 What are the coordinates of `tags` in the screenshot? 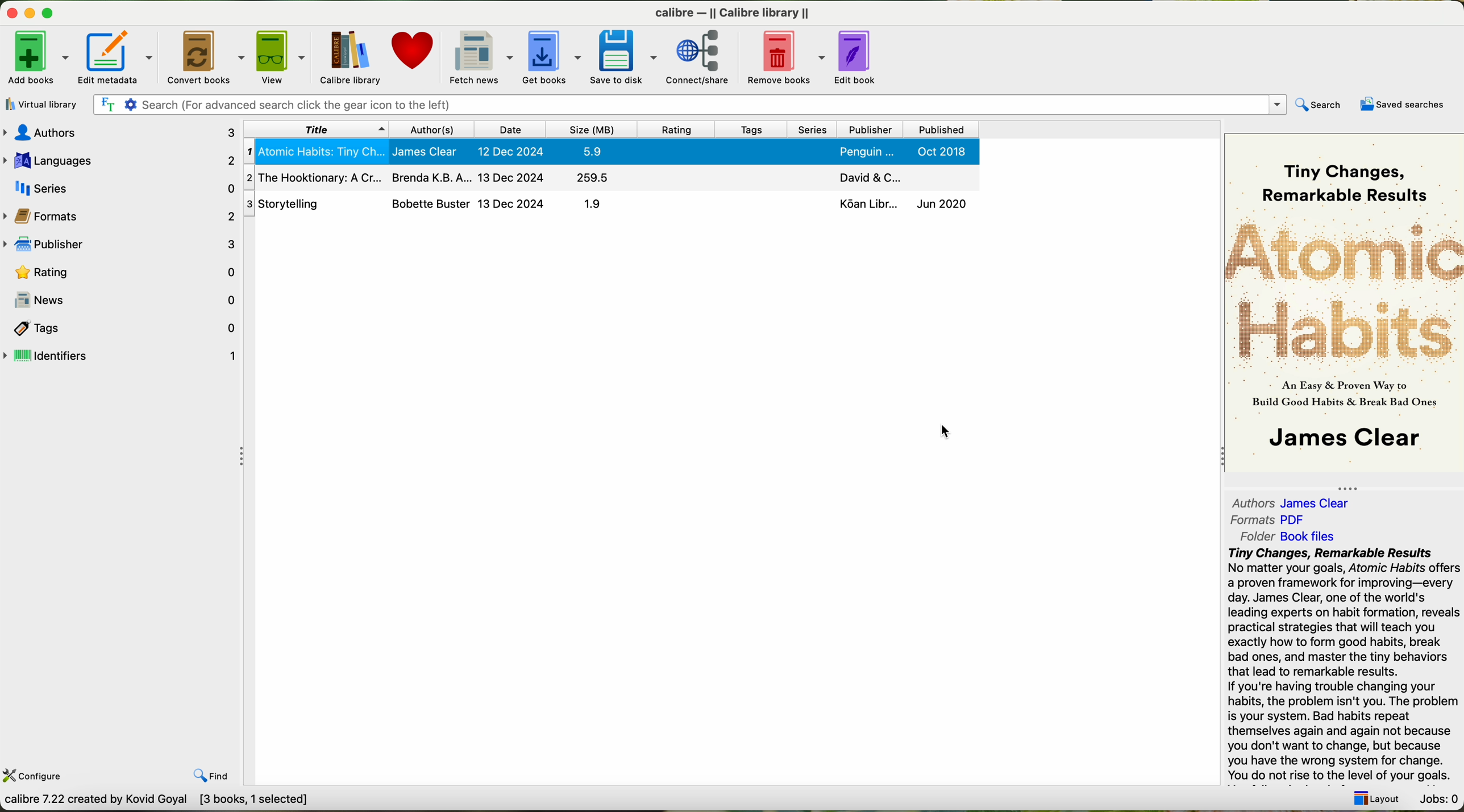 It's located at (121, 328).